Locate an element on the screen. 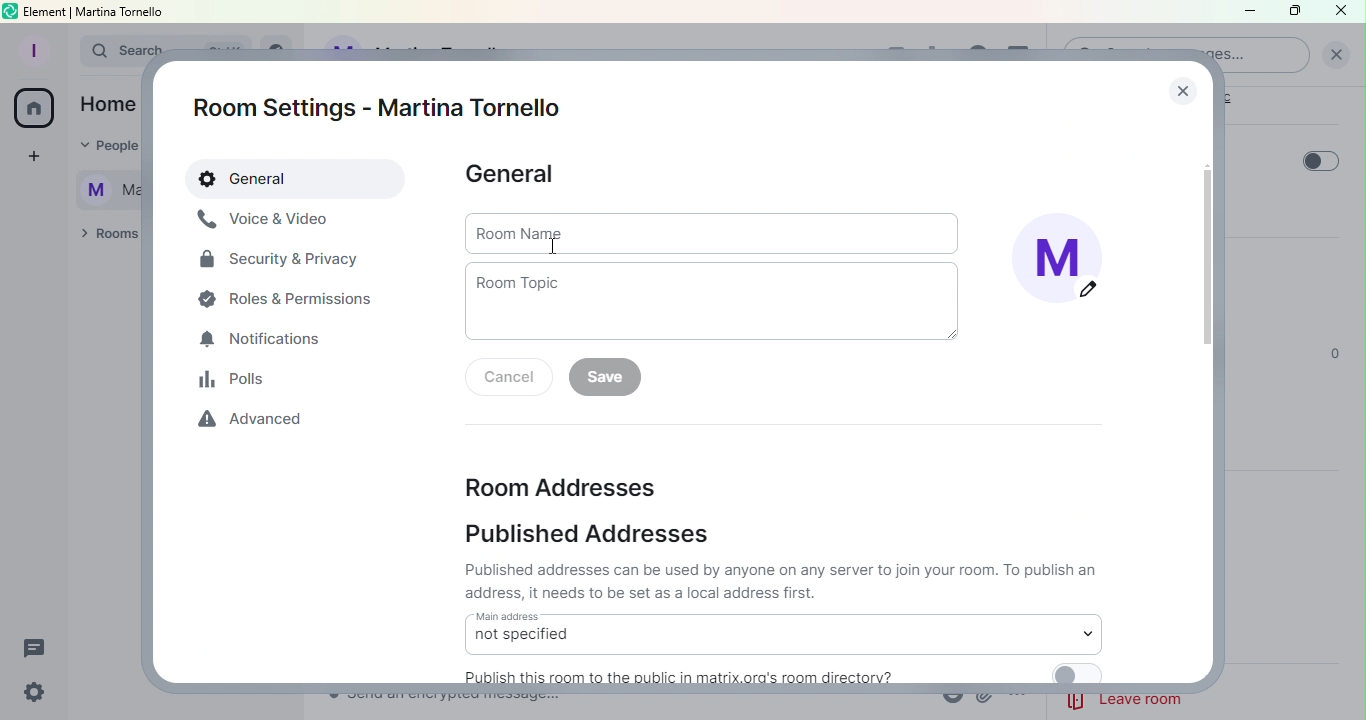 Image resolution: width=1366 pixels, height=720 pixels. Polls is located at coordinates (239, 379).